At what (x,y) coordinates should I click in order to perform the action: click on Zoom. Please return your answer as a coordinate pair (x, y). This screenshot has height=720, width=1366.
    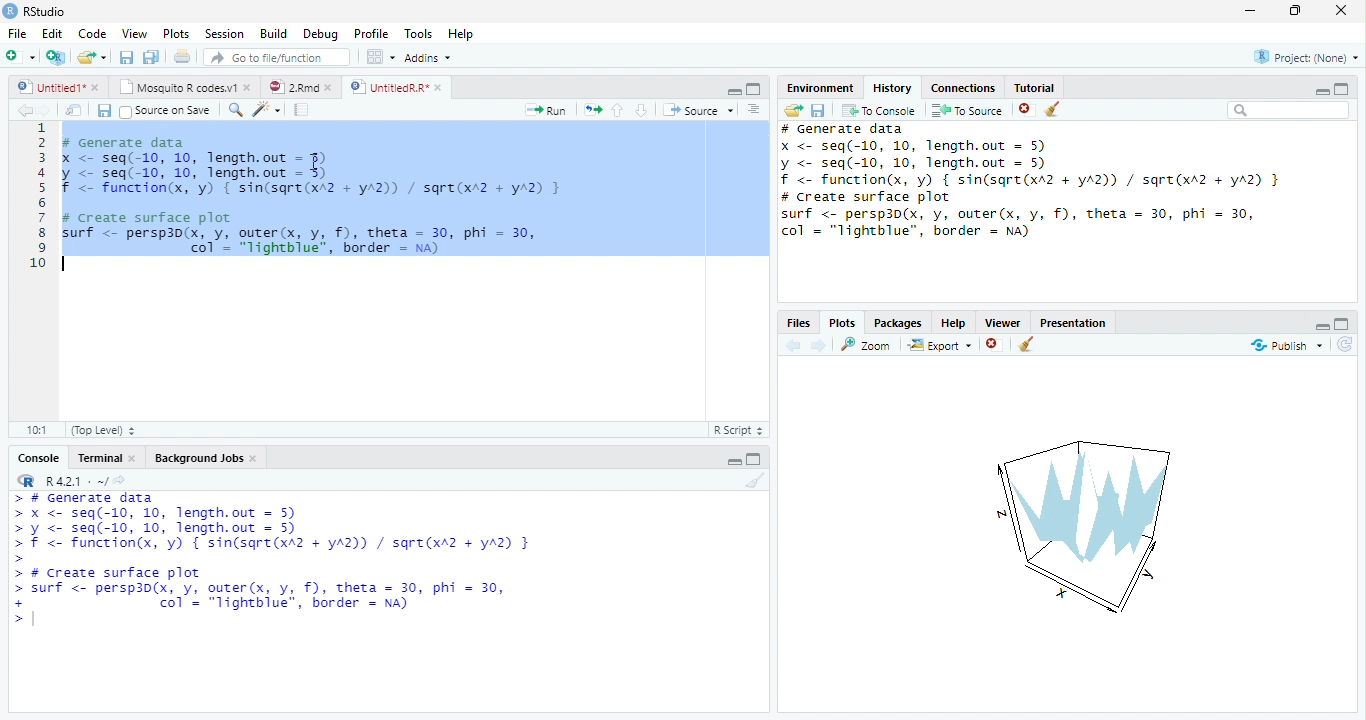
    Looking at the image, I should click on (865, 345).